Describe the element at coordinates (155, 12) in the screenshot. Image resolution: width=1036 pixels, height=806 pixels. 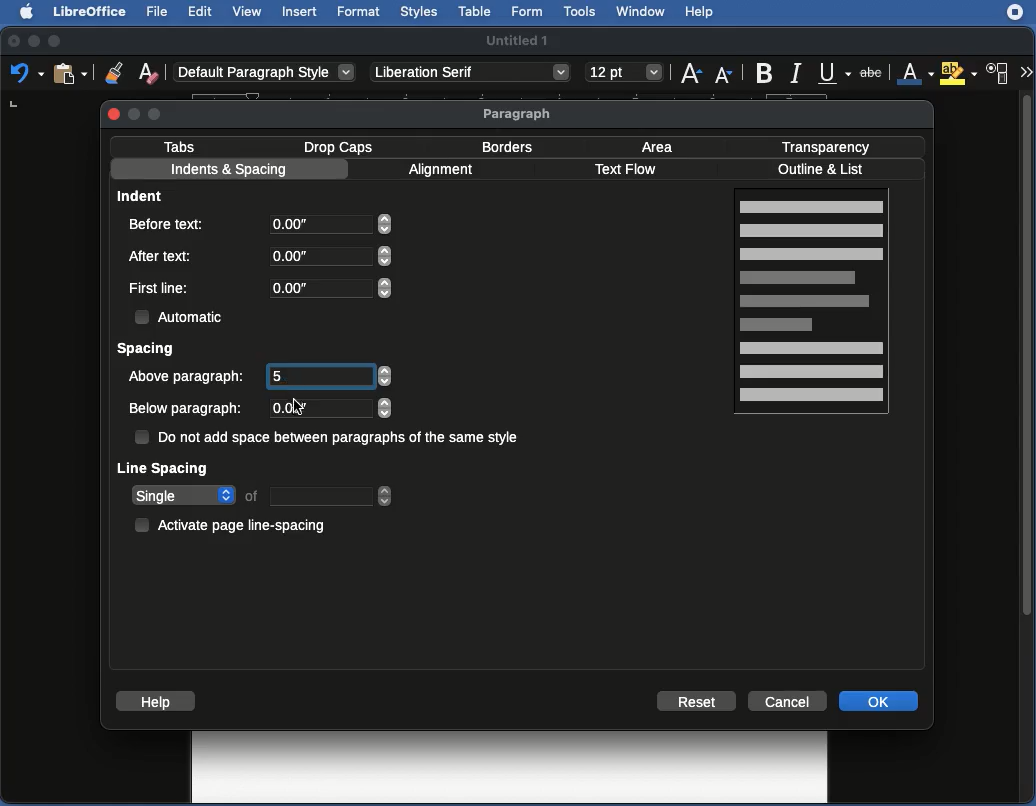
I see `File` at that location.